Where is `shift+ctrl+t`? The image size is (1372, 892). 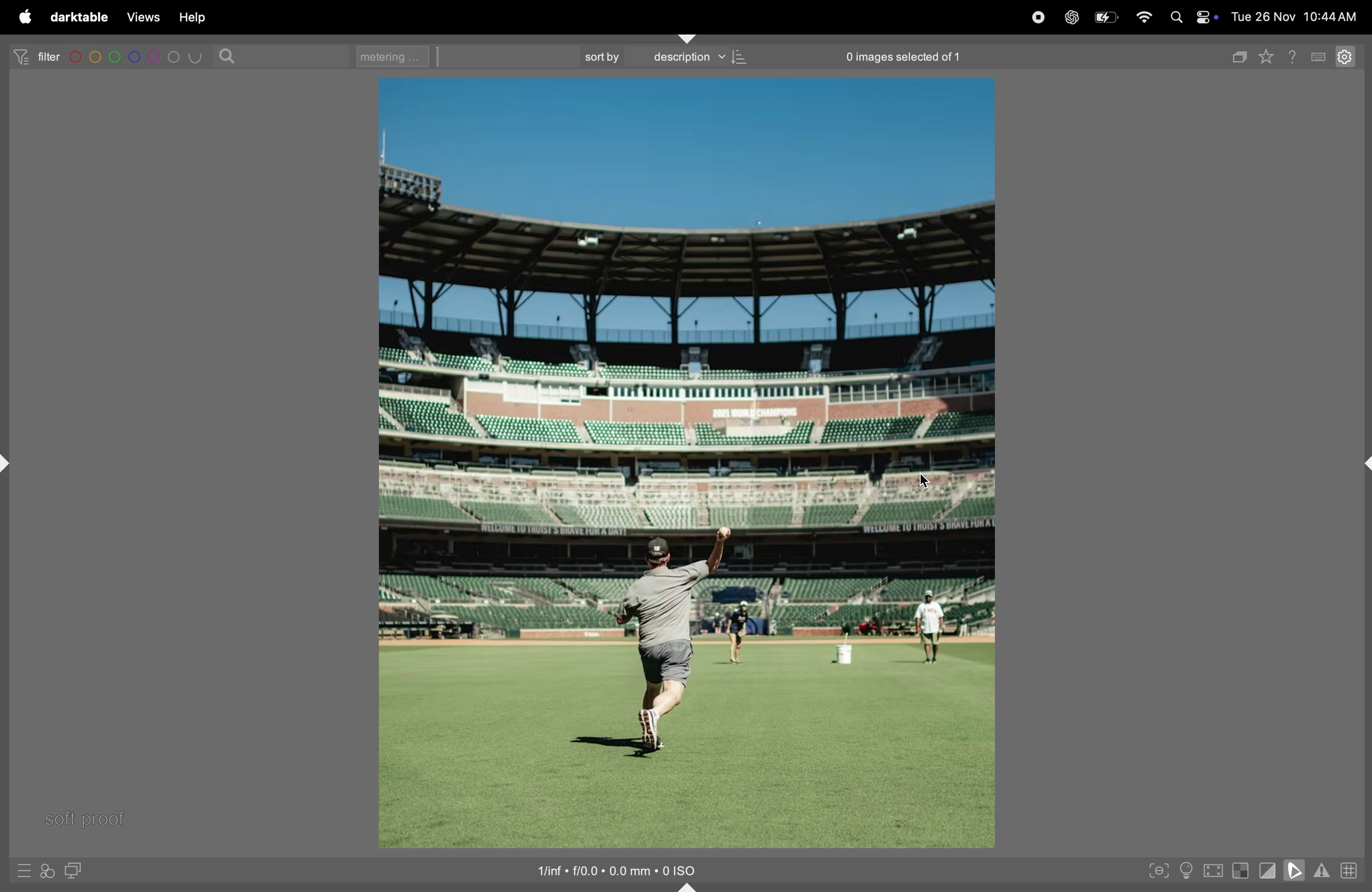 shift+ctrl+t is located at coordinates (687, 37).